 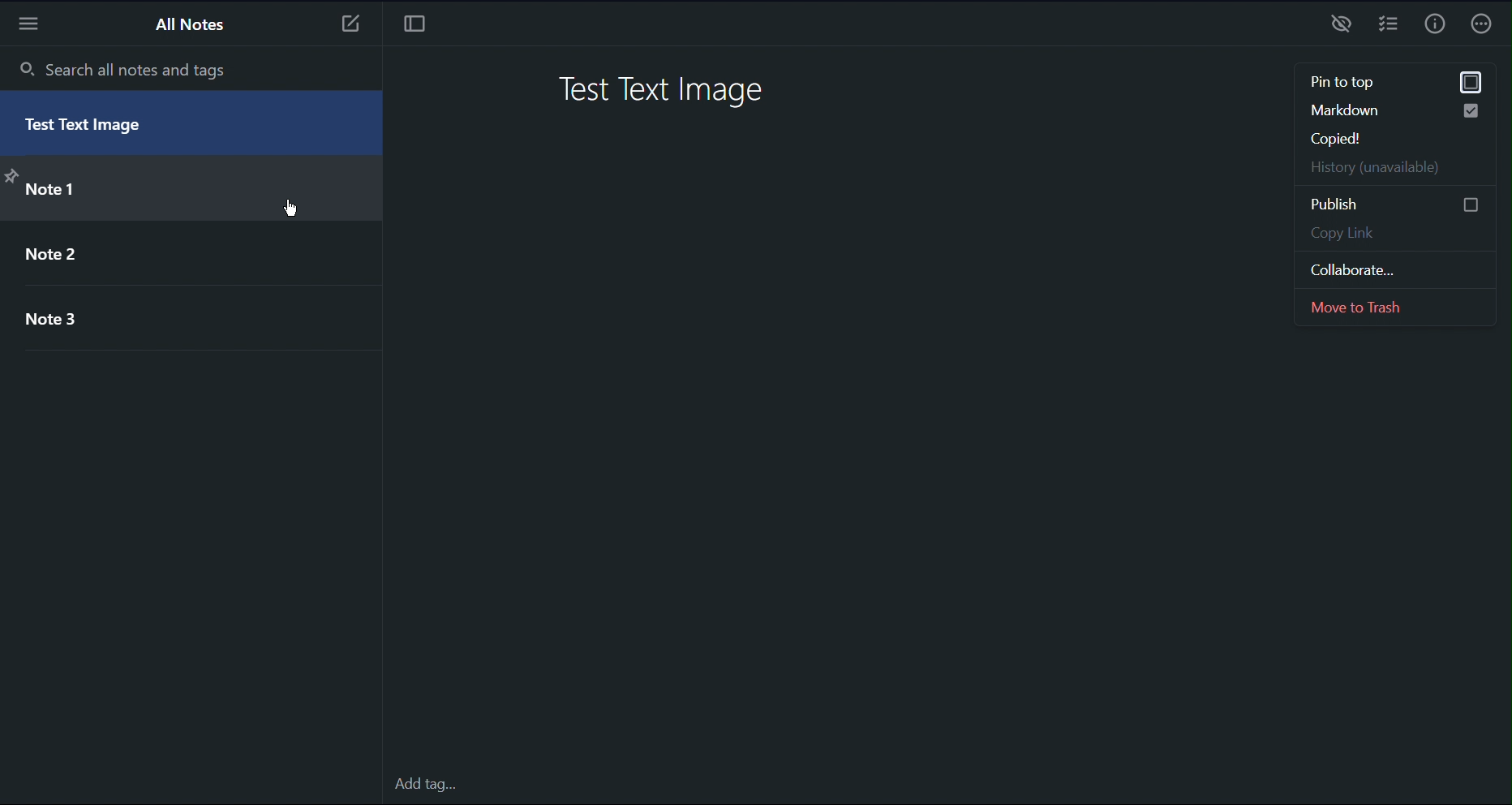 I want to click on Add tag, so click(x=429, y=785).